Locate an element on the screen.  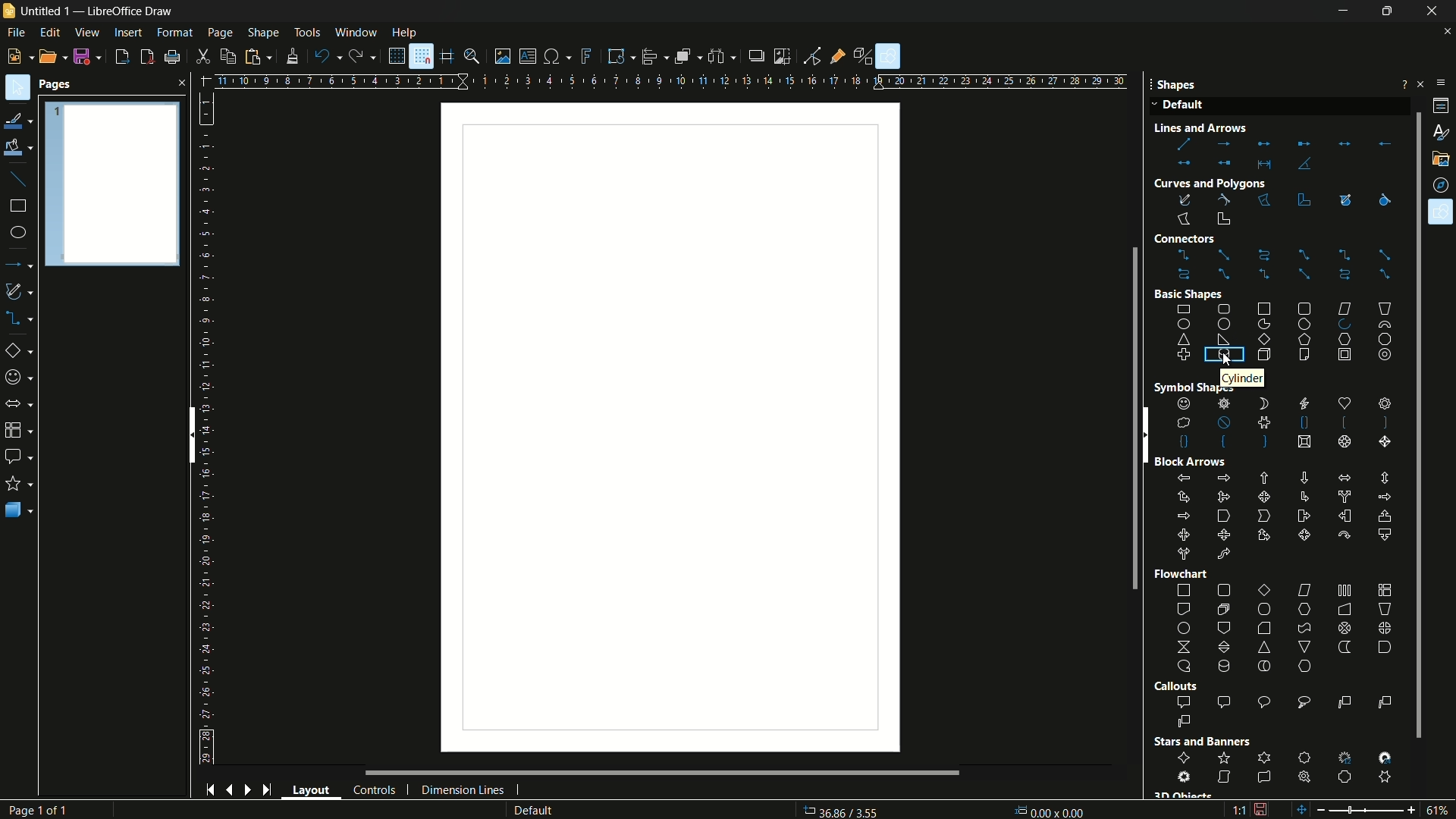
helplines while moving is located at coordinates (447, 58).